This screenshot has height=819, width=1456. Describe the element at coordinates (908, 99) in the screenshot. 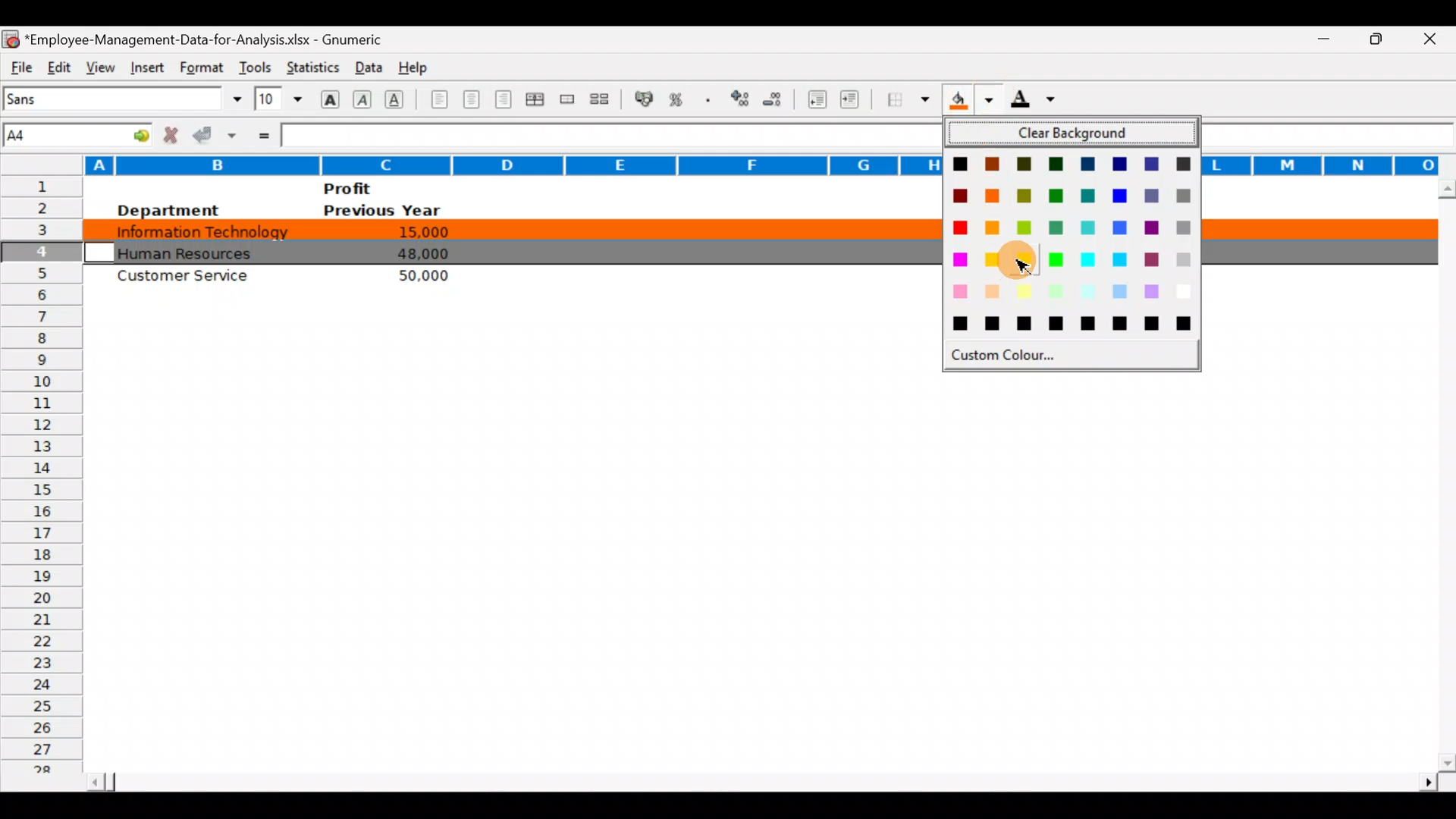

I see `Borders` at that location.